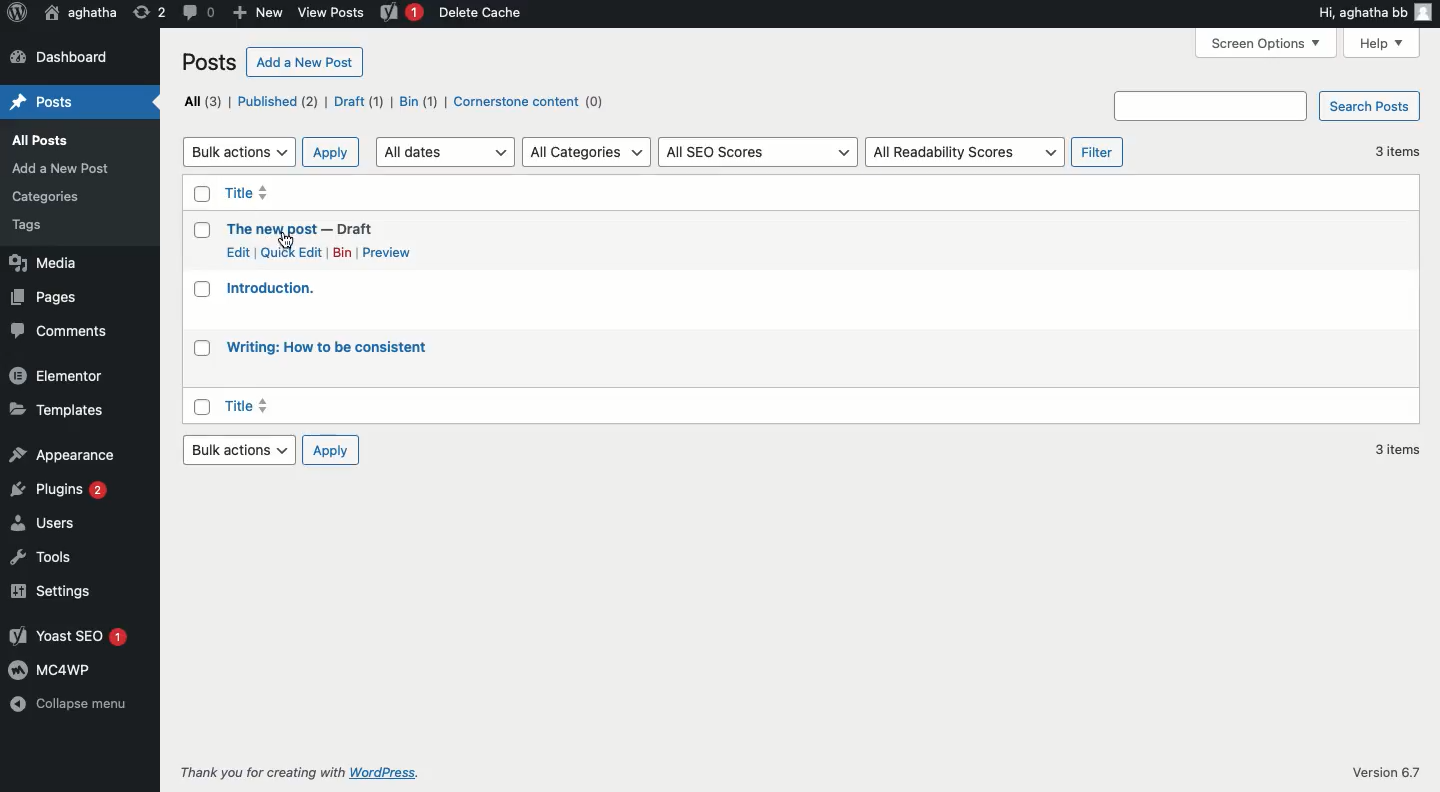  What do you see at coordinates (47, 297) in the screenshot?
I see `Pages` at bounding box center [47, 297].